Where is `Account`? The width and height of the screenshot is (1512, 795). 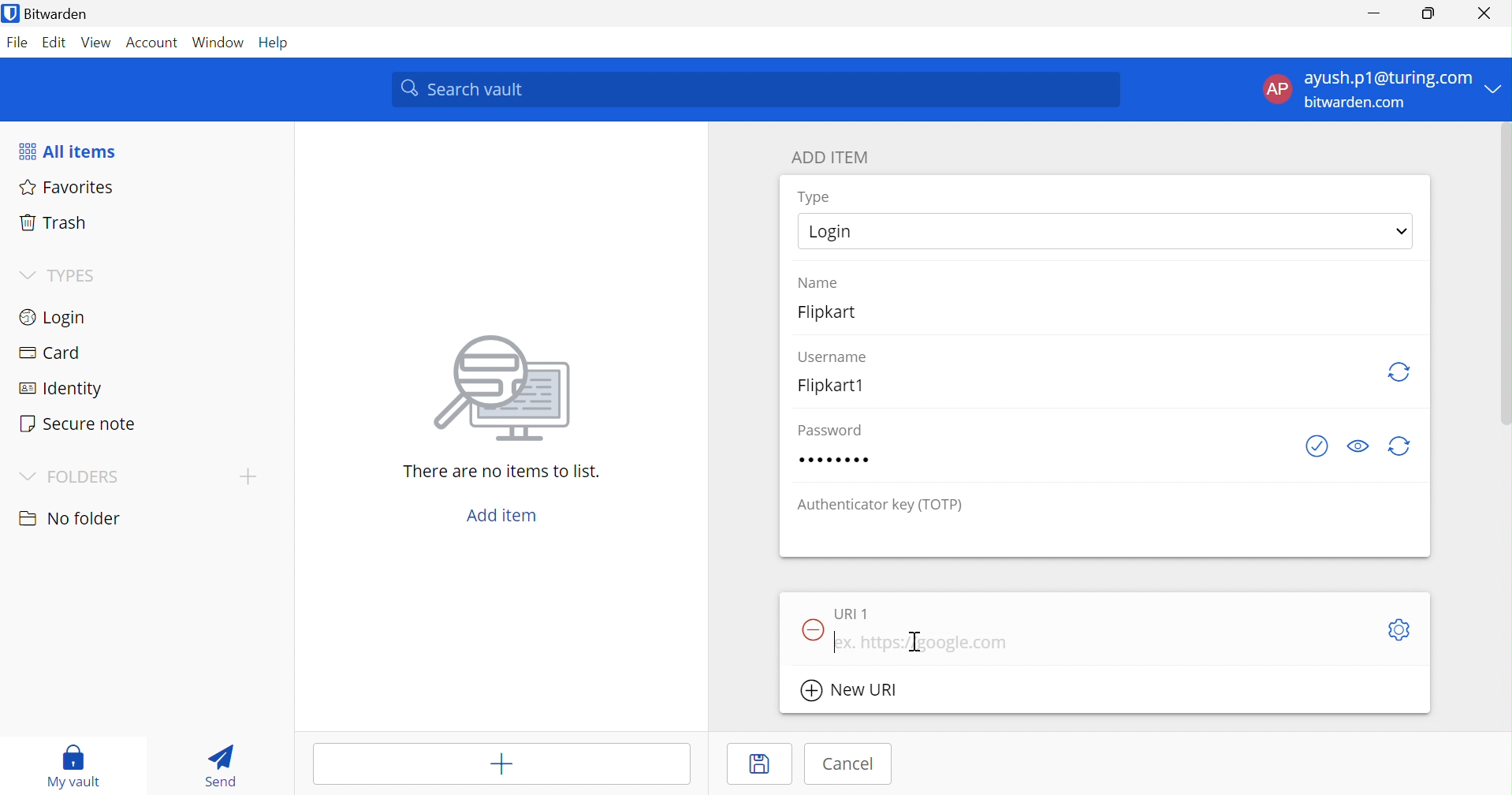
Account is located at coordinates (153, 43).